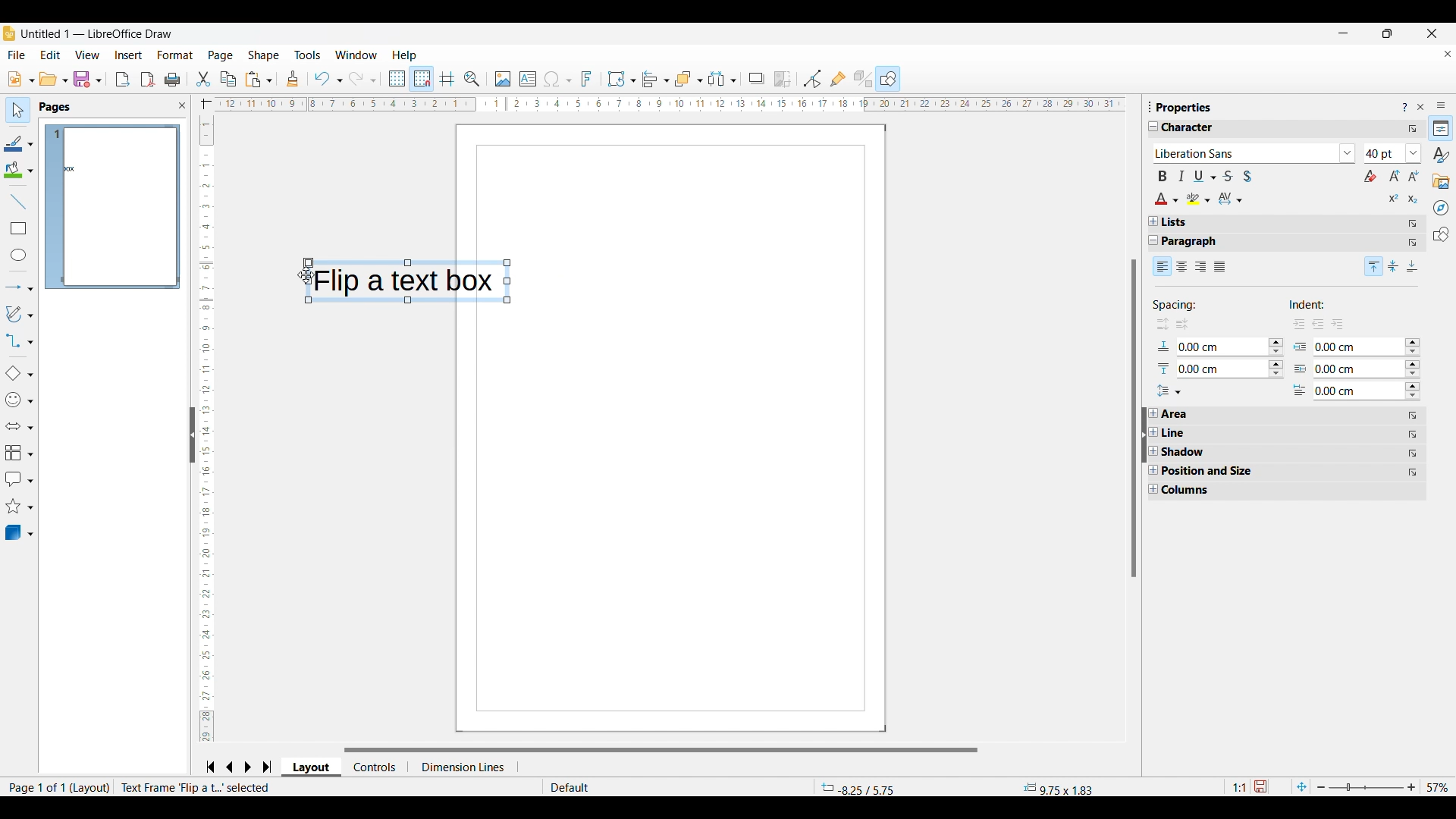 The width and height of the screenshot is (1456, 819). I want to click on Crop image, so click(783, 80).